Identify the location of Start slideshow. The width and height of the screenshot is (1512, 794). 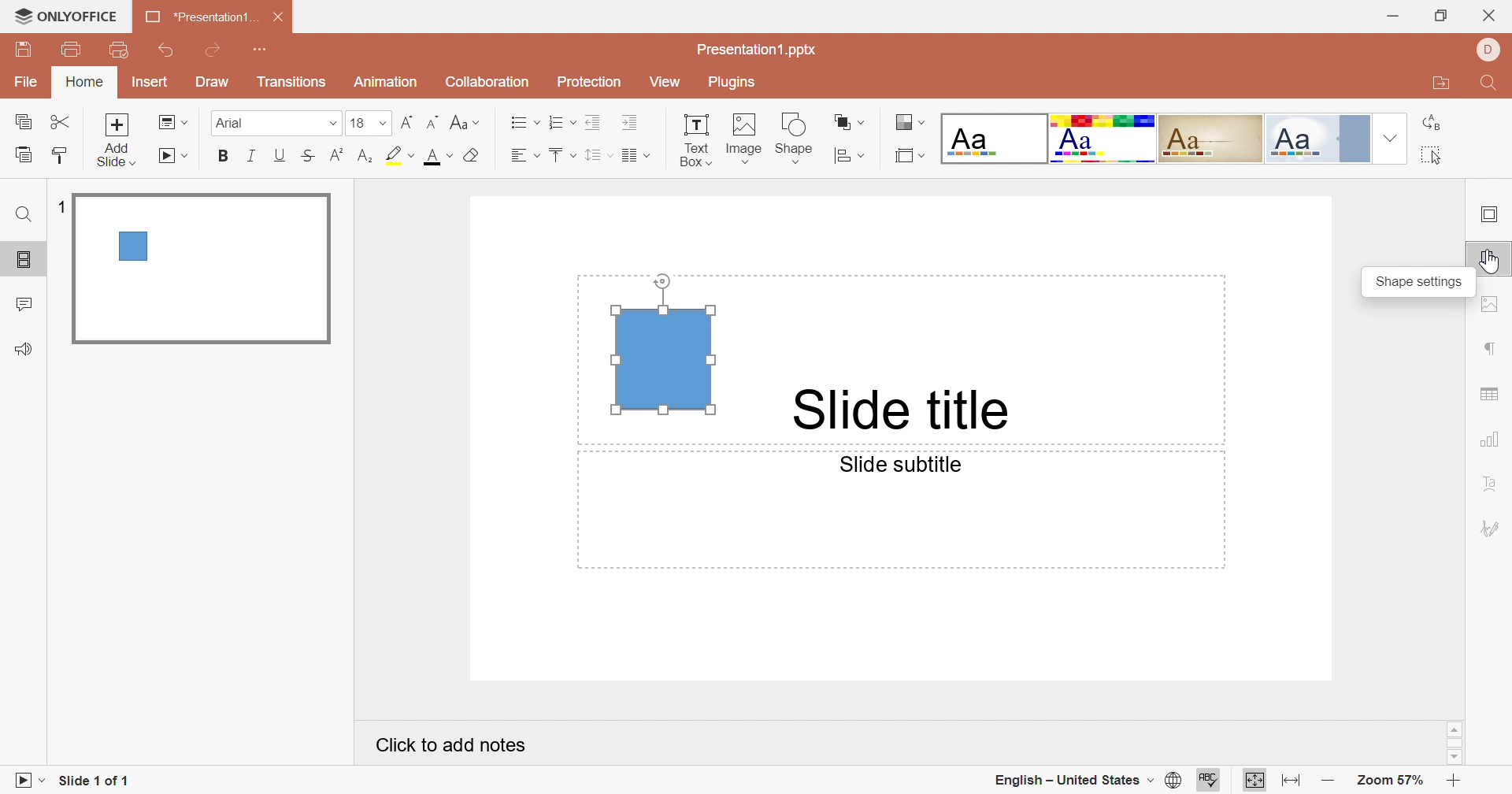
(31, 782).